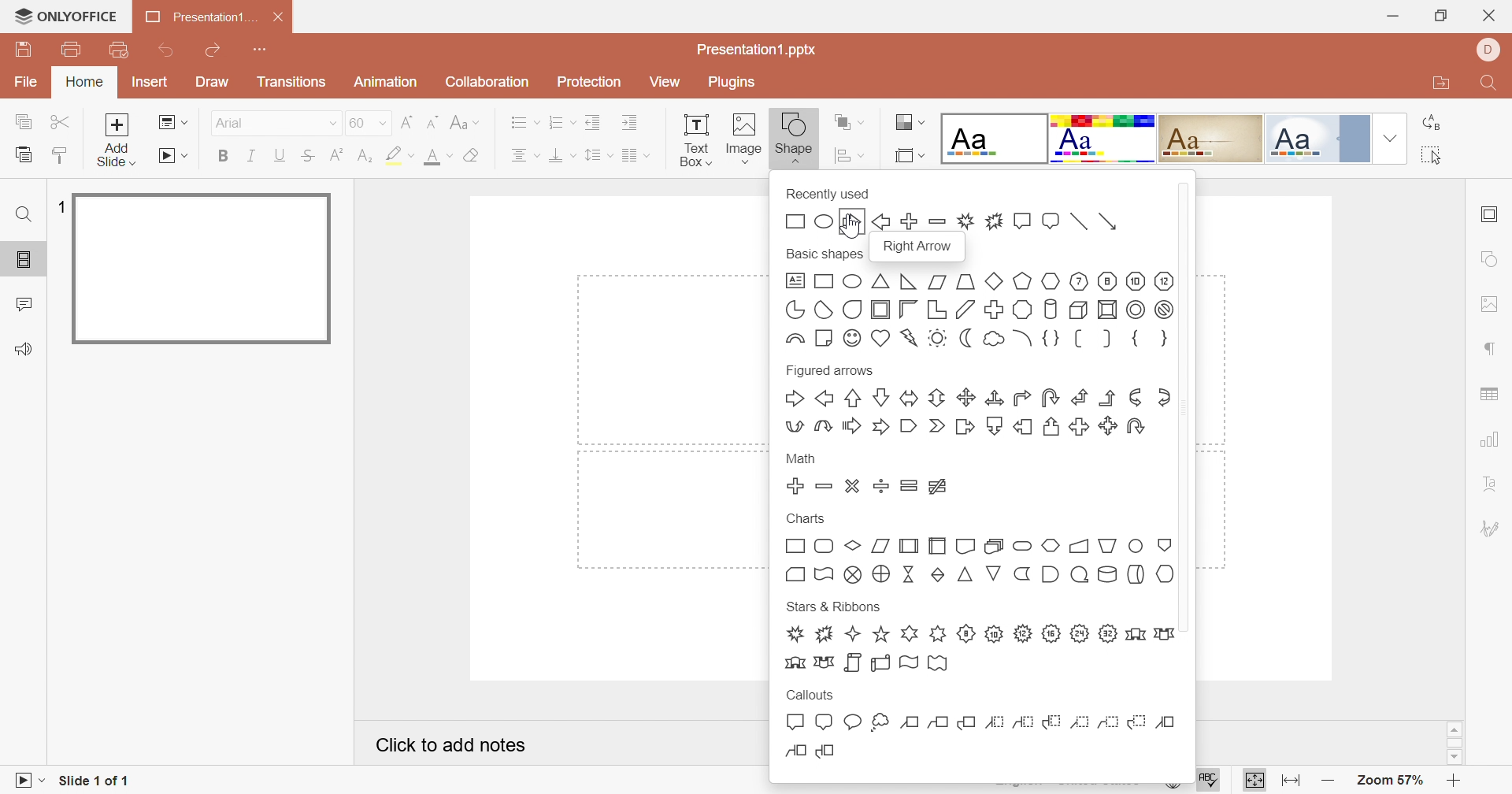 The image size is (1512, 794). Describe the element at coordinates (827, 194) in the screenshot. I see `Recently used` at that location.